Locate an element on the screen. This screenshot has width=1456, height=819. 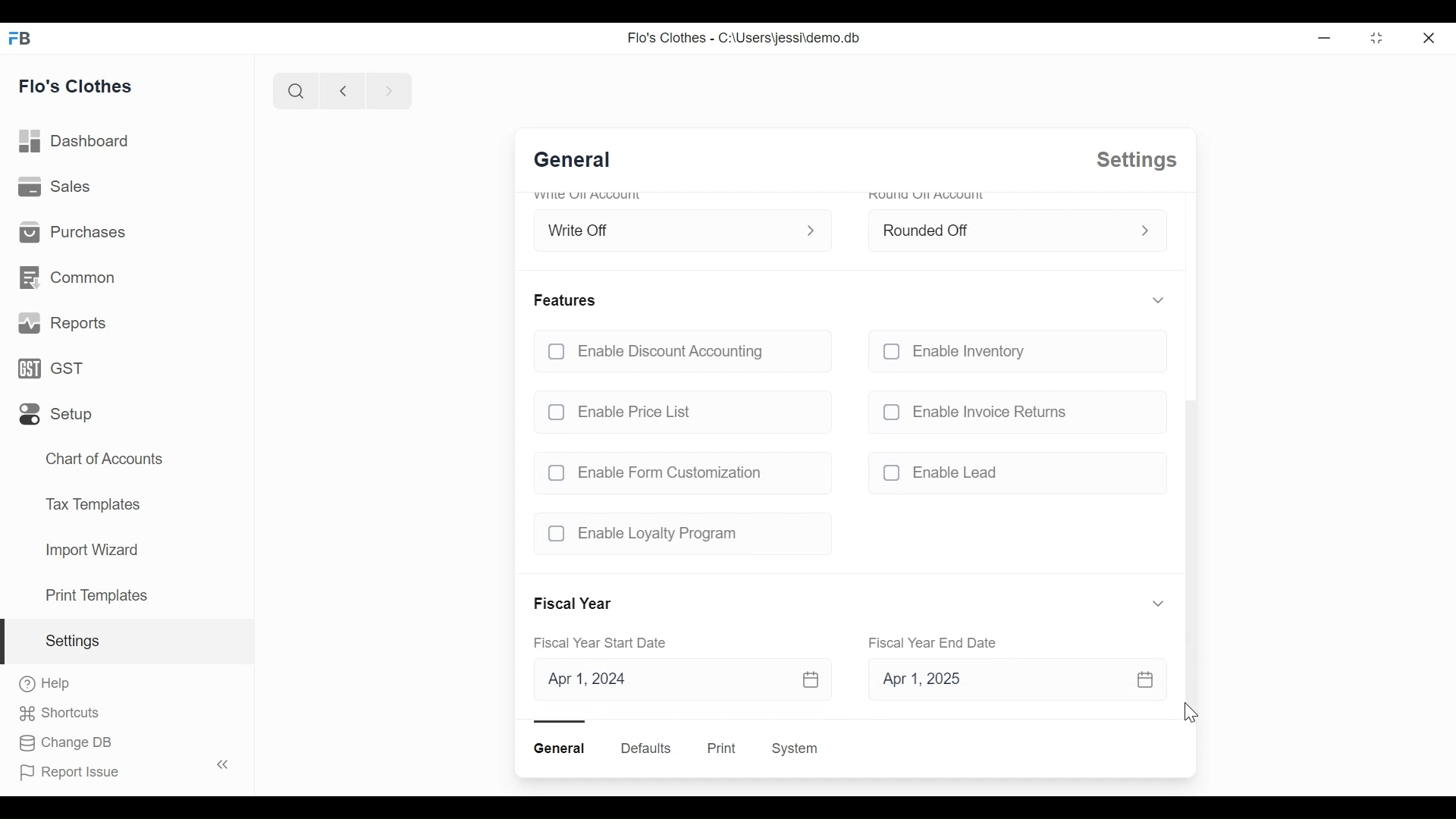
unchecked Enable Price List is located at coordinates (681, 408).